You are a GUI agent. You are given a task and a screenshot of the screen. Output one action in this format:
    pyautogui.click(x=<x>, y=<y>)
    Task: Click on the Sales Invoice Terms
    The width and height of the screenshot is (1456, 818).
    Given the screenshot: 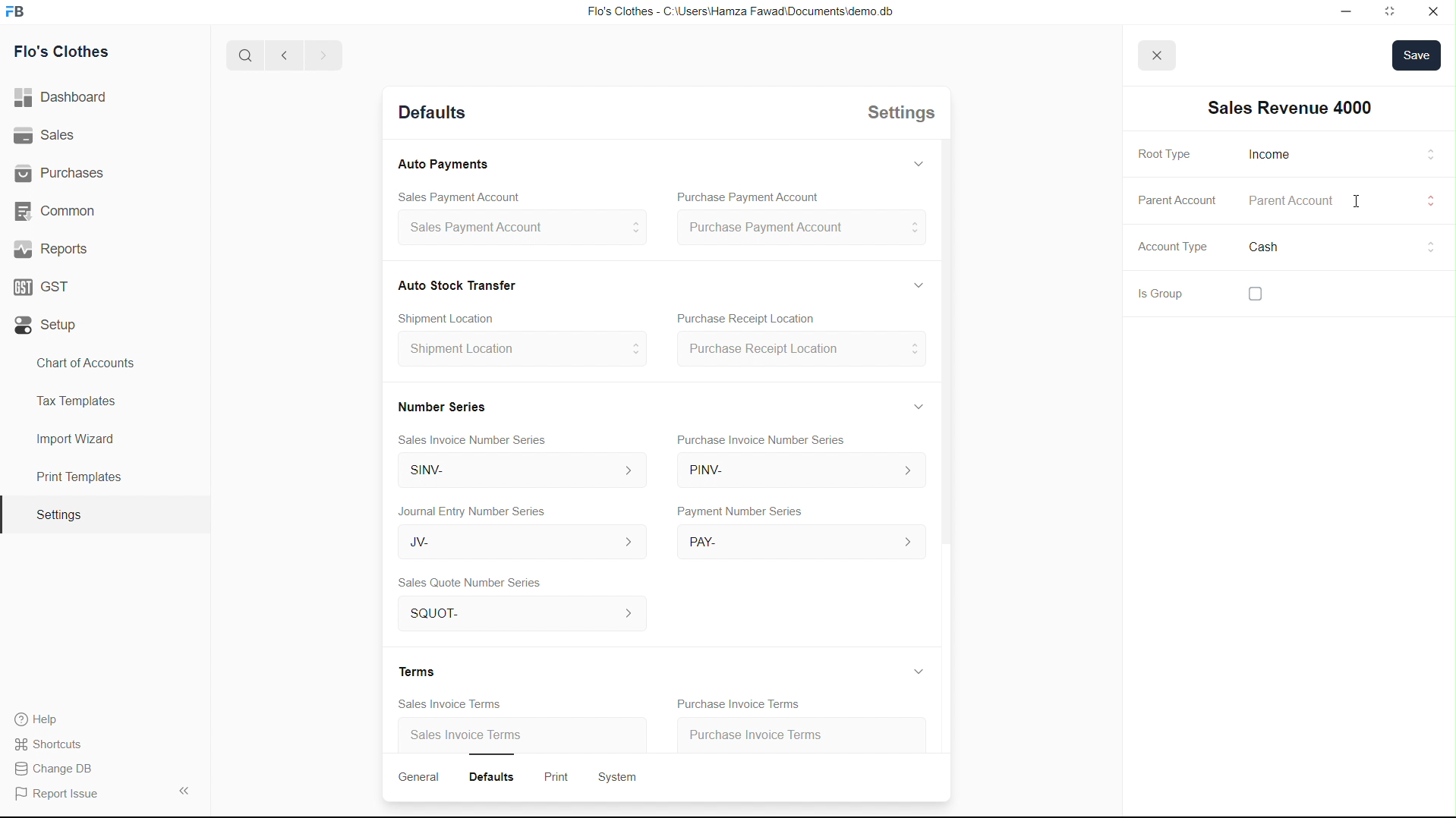 What is the action you would take?
    pyautogui.click(x=468, y=737)
    